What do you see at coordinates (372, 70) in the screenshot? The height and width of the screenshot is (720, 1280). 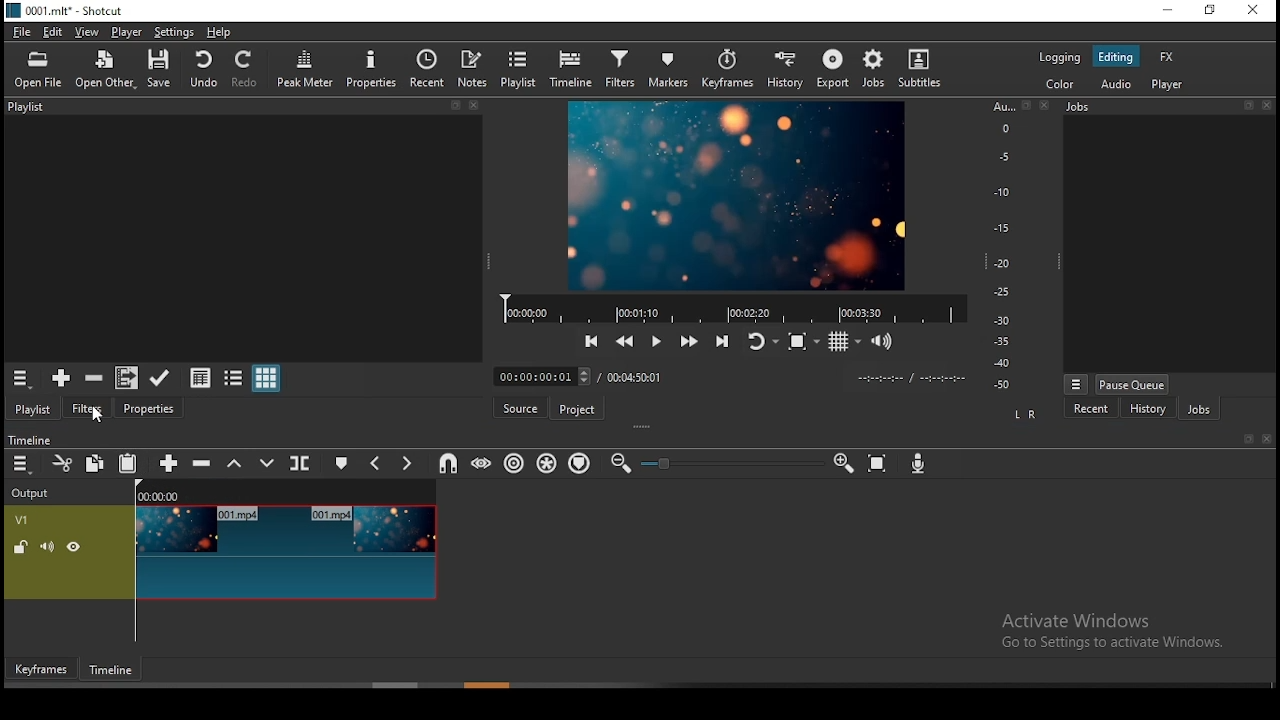 I see `properties` at bounding box center [372, 70].